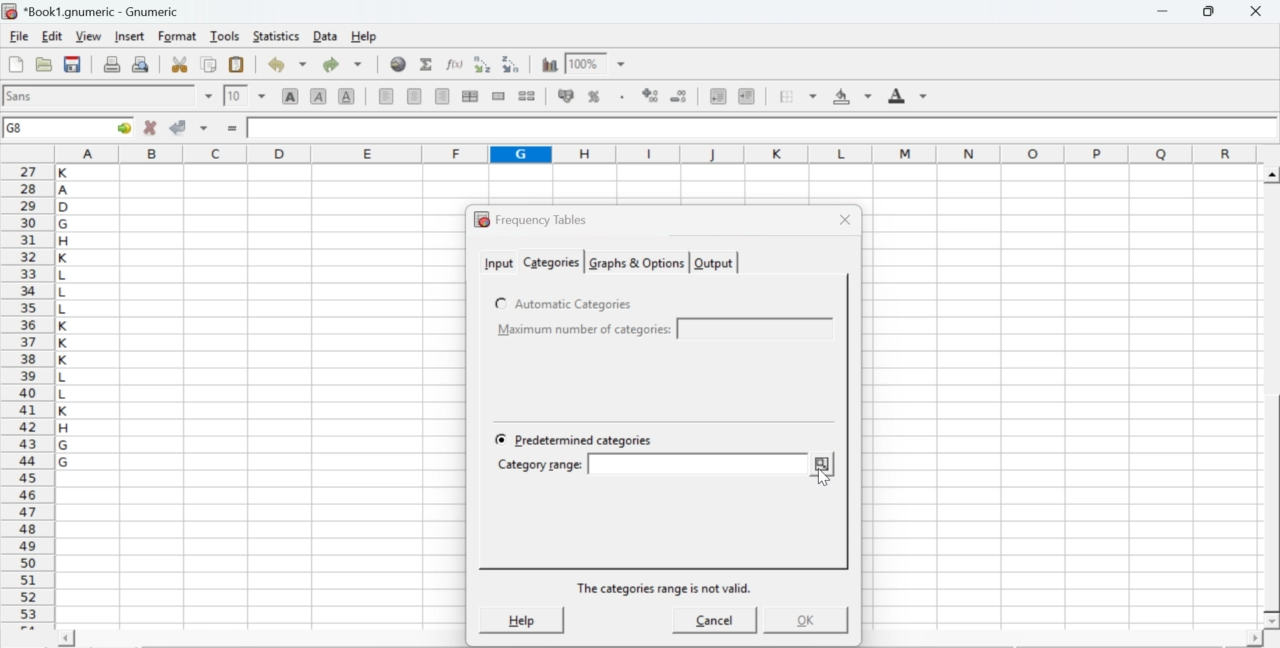 The width and height of the screenshot is (1280, 648). What do you see at coordinates (636, 263) in the screenshot?
I see `graphs & options` at bounding box center [636, 263].